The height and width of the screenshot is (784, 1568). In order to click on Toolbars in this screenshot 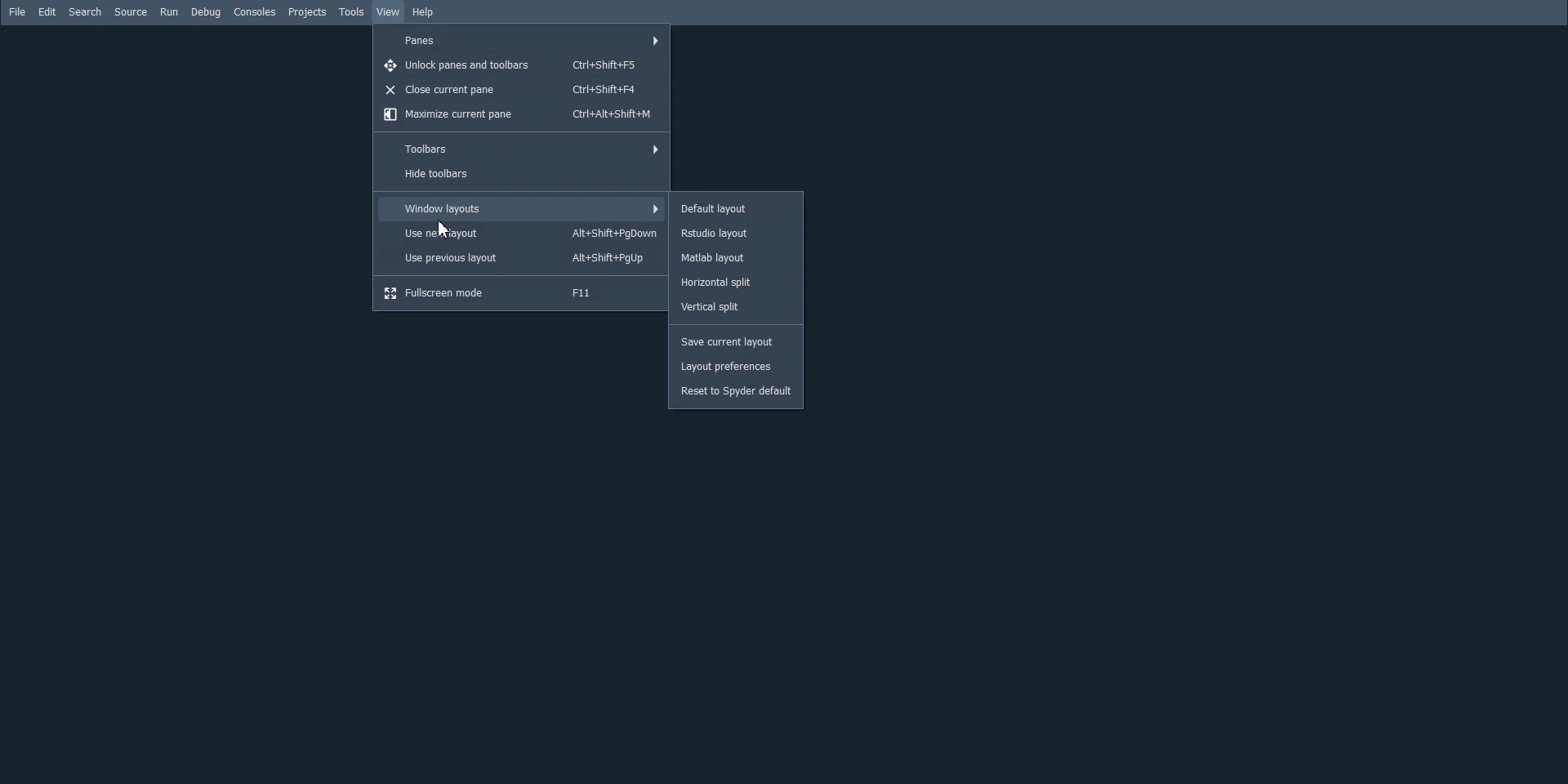, I will do `click(519, 149)`.